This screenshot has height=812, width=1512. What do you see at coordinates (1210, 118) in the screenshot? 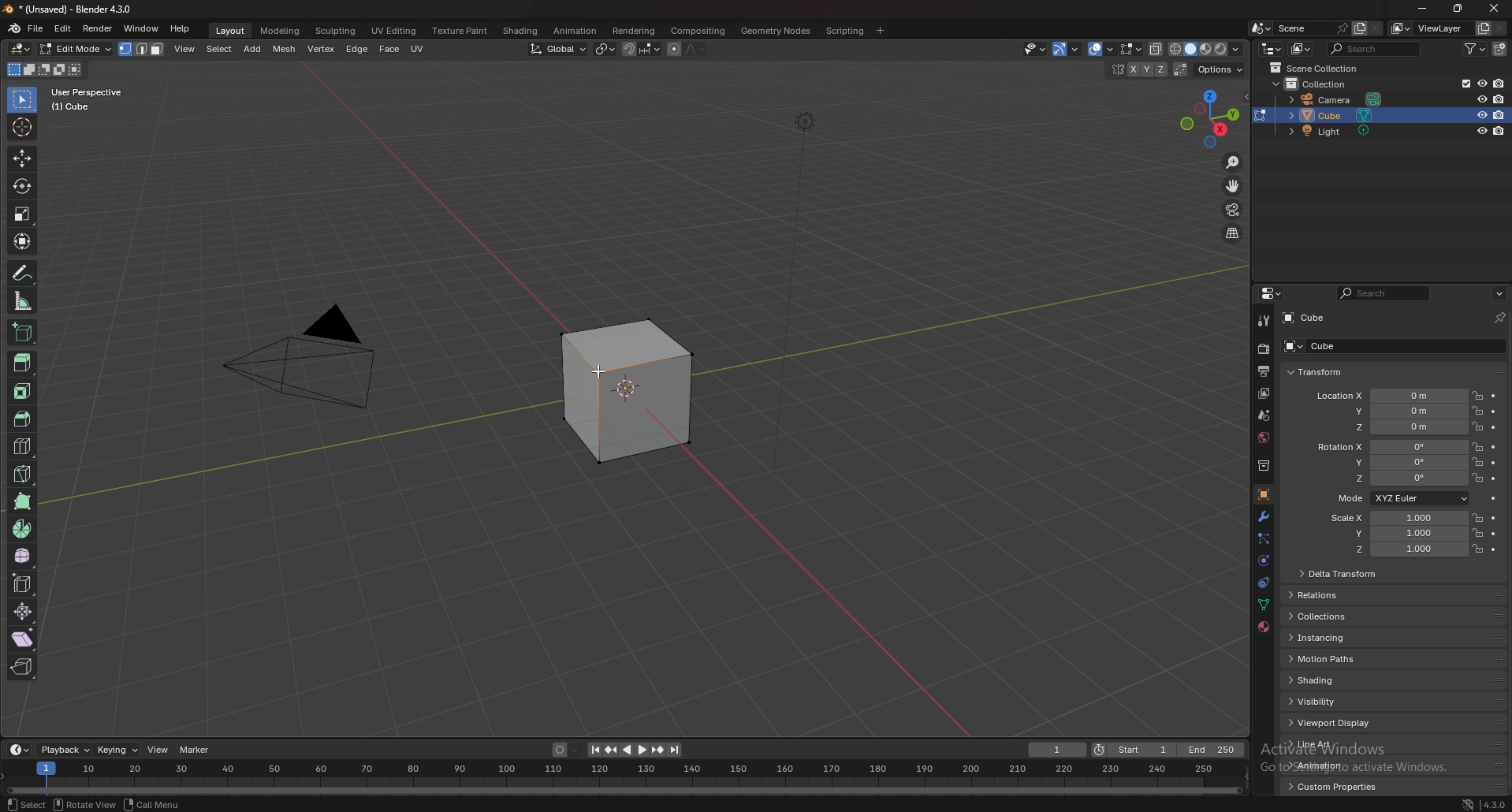
I see `viewpoint` at bounding box center [1210, 118].